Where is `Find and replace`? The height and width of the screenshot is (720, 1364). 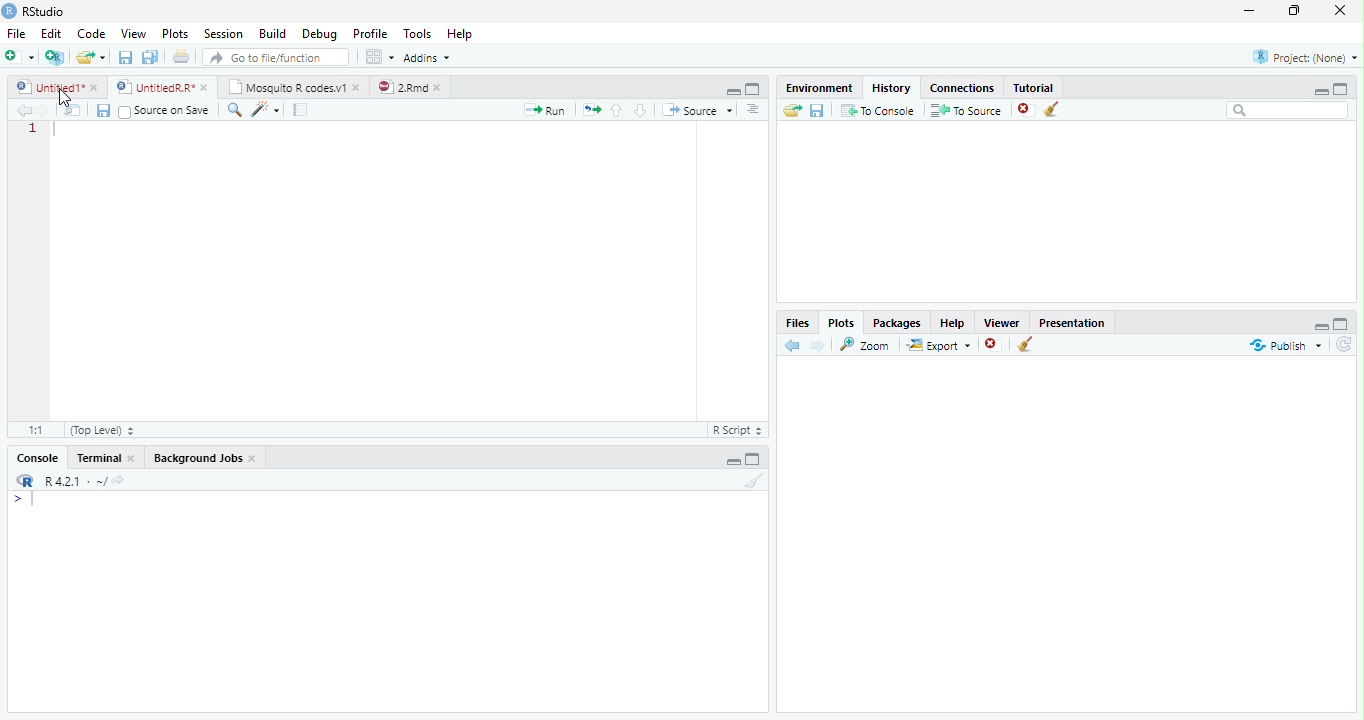
Find and replace is located at coordinates (235, 110).